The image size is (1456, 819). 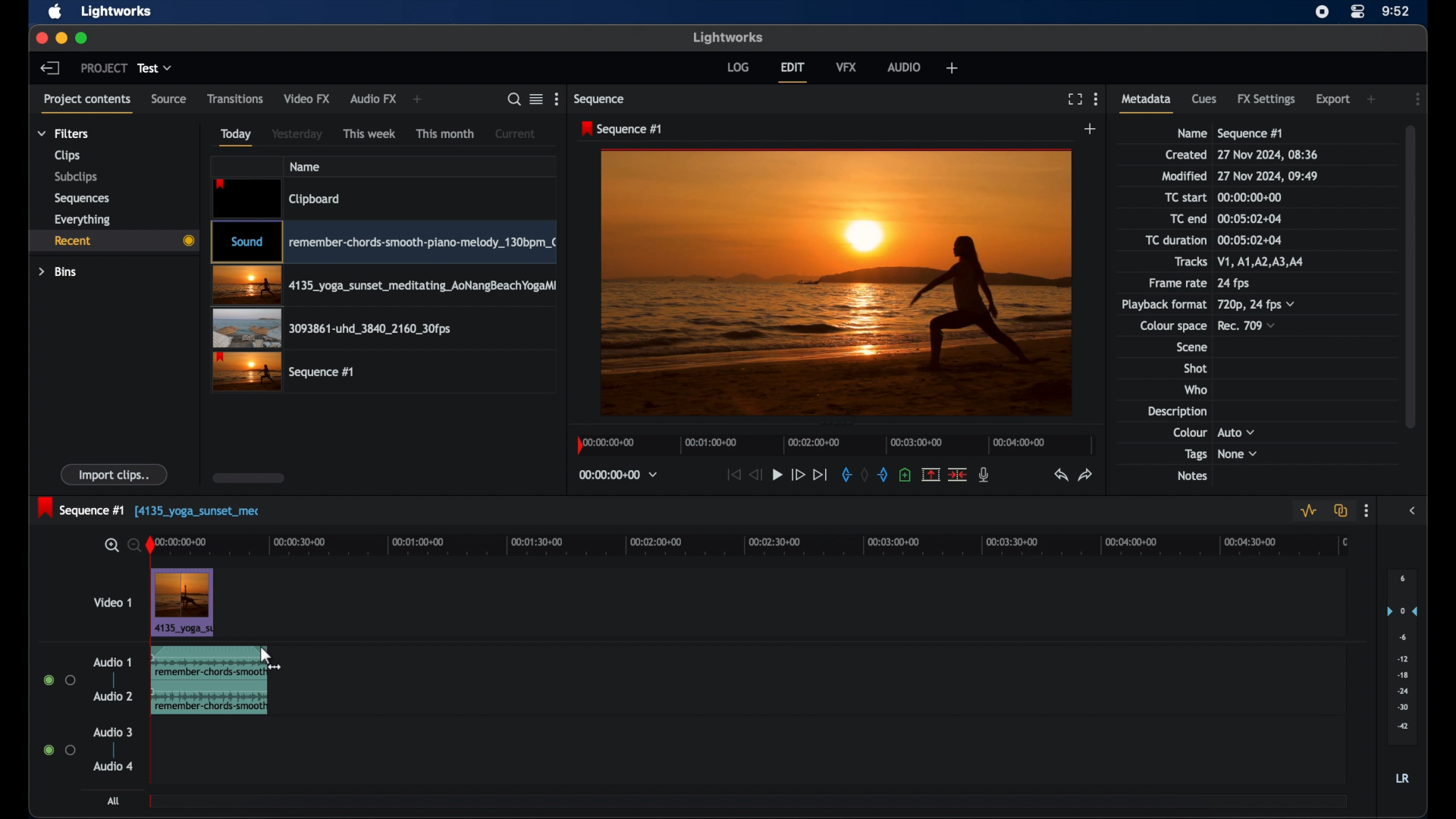 I want to click on test, so click(x=155, y=67).